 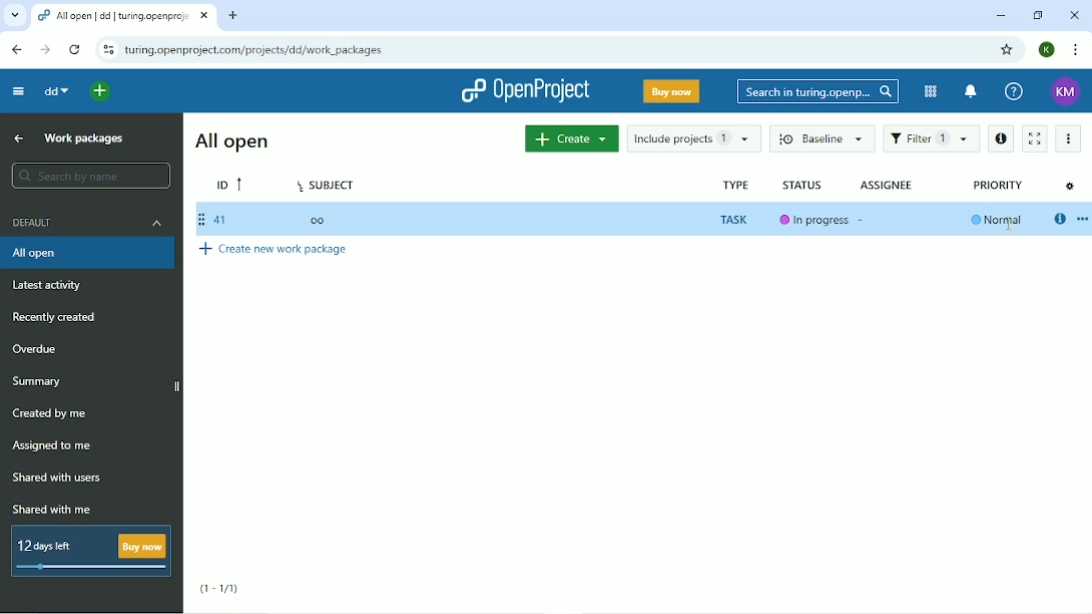 What do you see at coordinates (231, 183) in the screenshot?
I see `ID` at bounding box center [231, 183].